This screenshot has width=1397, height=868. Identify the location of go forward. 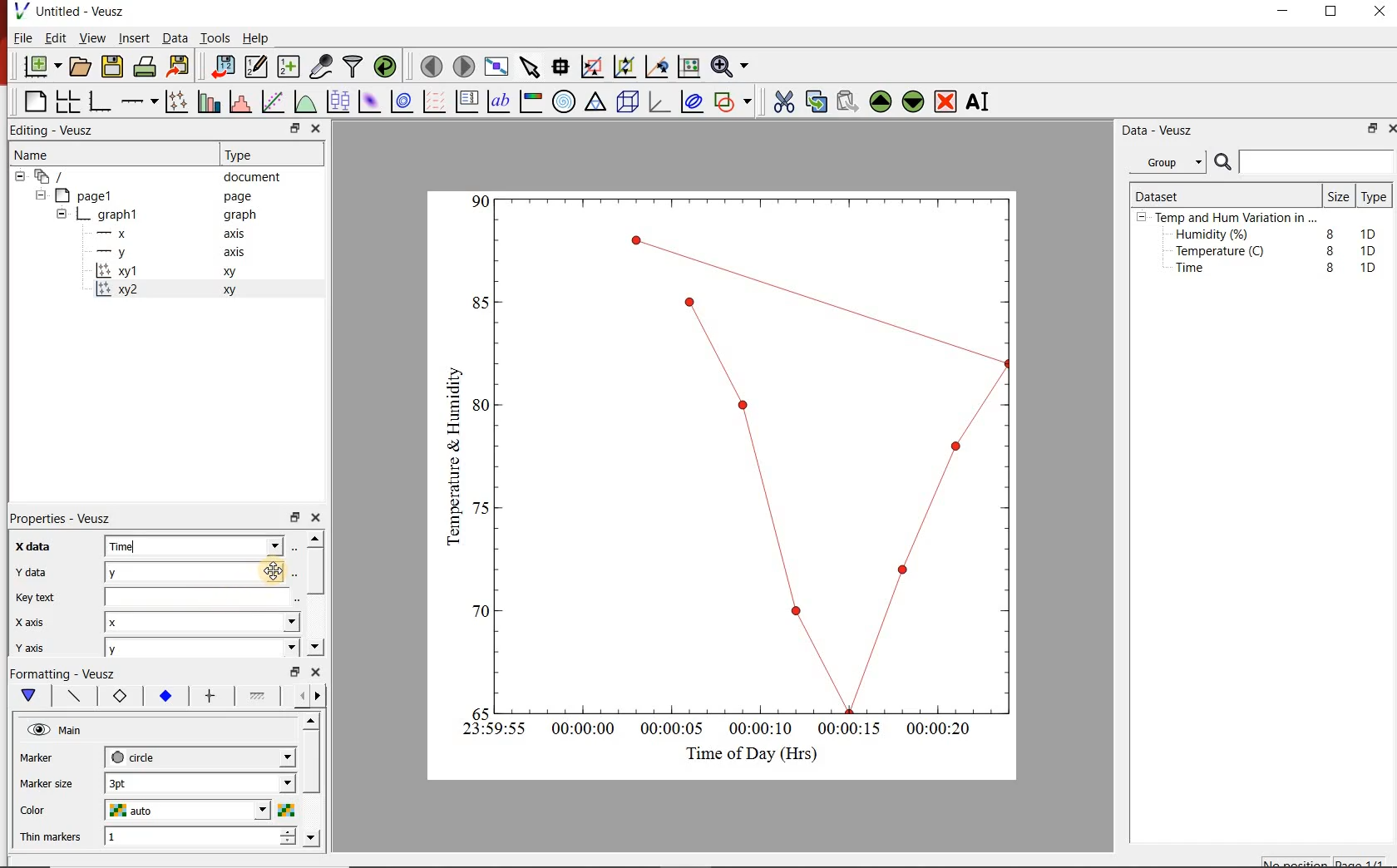
(321, 696).